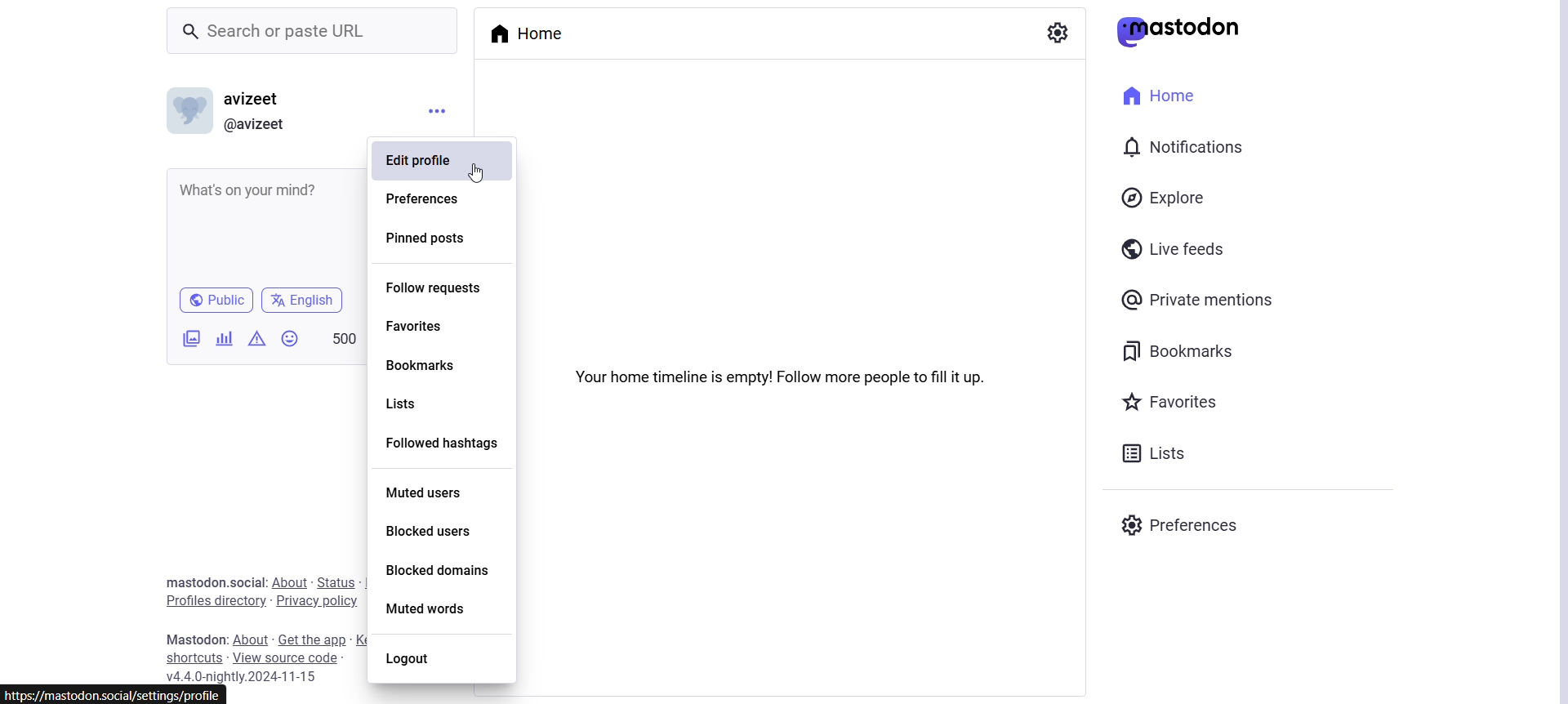 The image size is (1568, 704). What do you see at coordinates (412, 401) in the screenshot?
I see `Lists` at bounding box center [412, 401].